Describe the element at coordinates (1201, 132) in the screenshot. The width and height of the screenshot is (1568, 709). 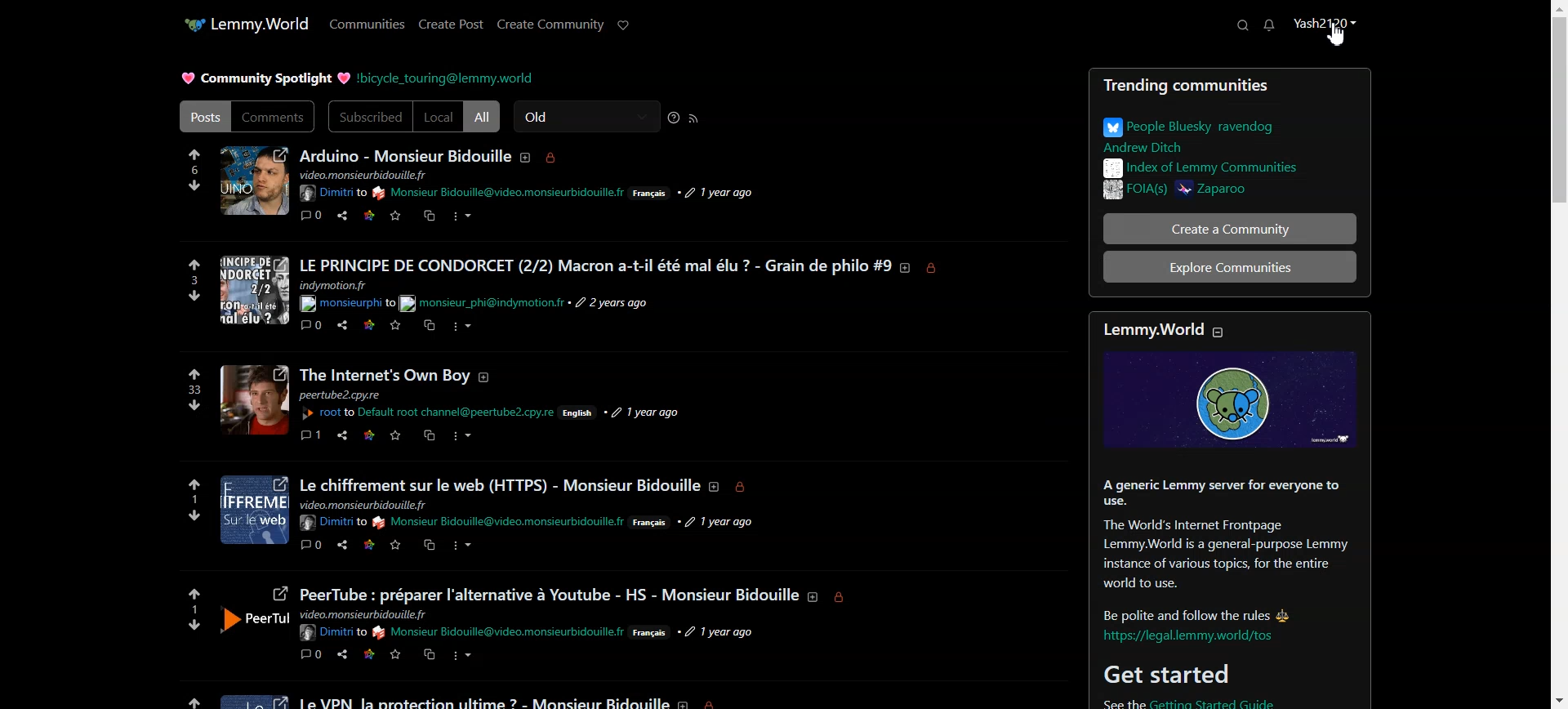
I see `People Bluesky` at that location.